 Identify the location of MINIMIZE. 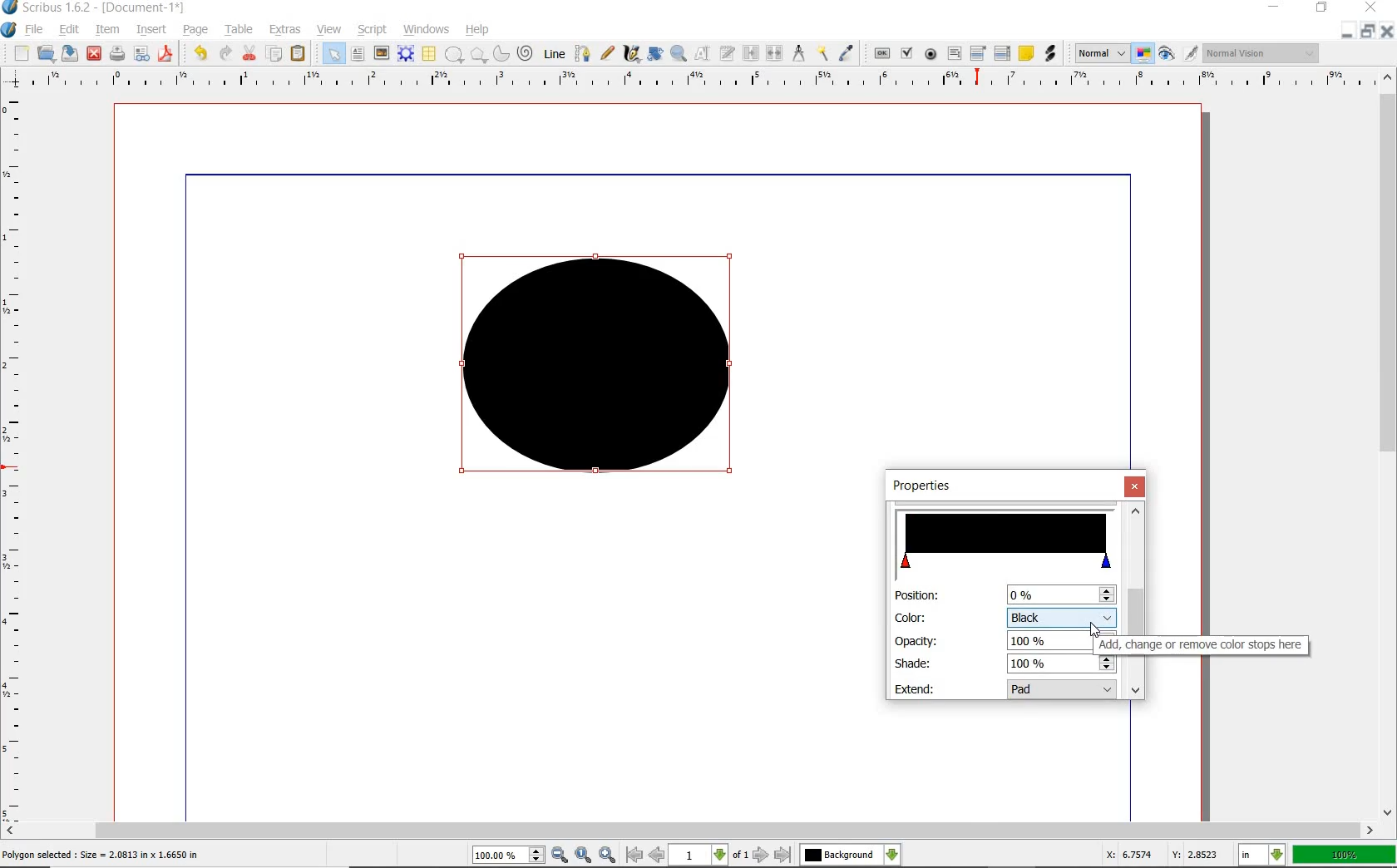
(1346, 32).